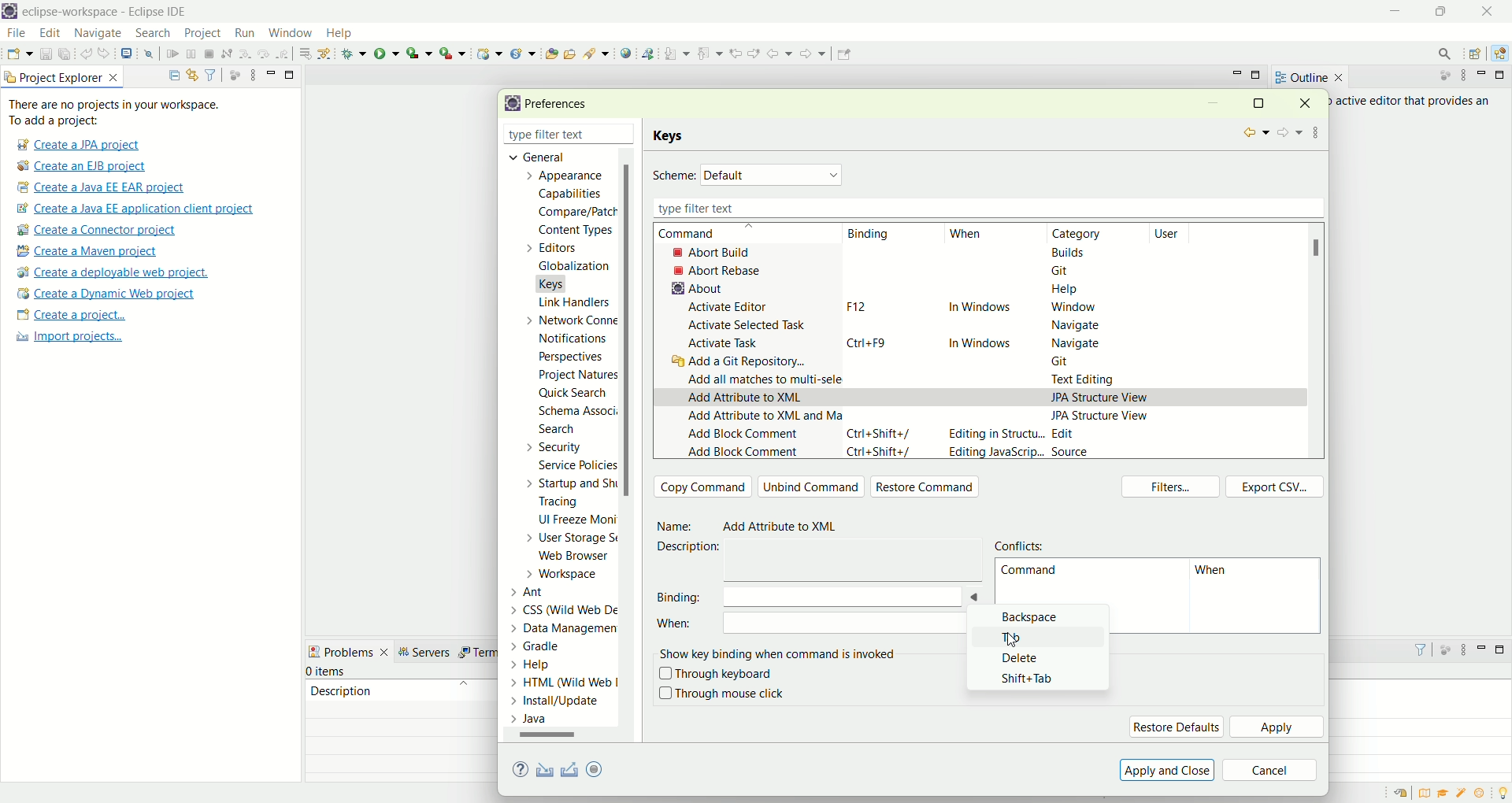 The height and width of the screenshot is (803, 1512). Describe the element at coordinates (872, 342) in the screenshot. I see `strl+F9` at that location.